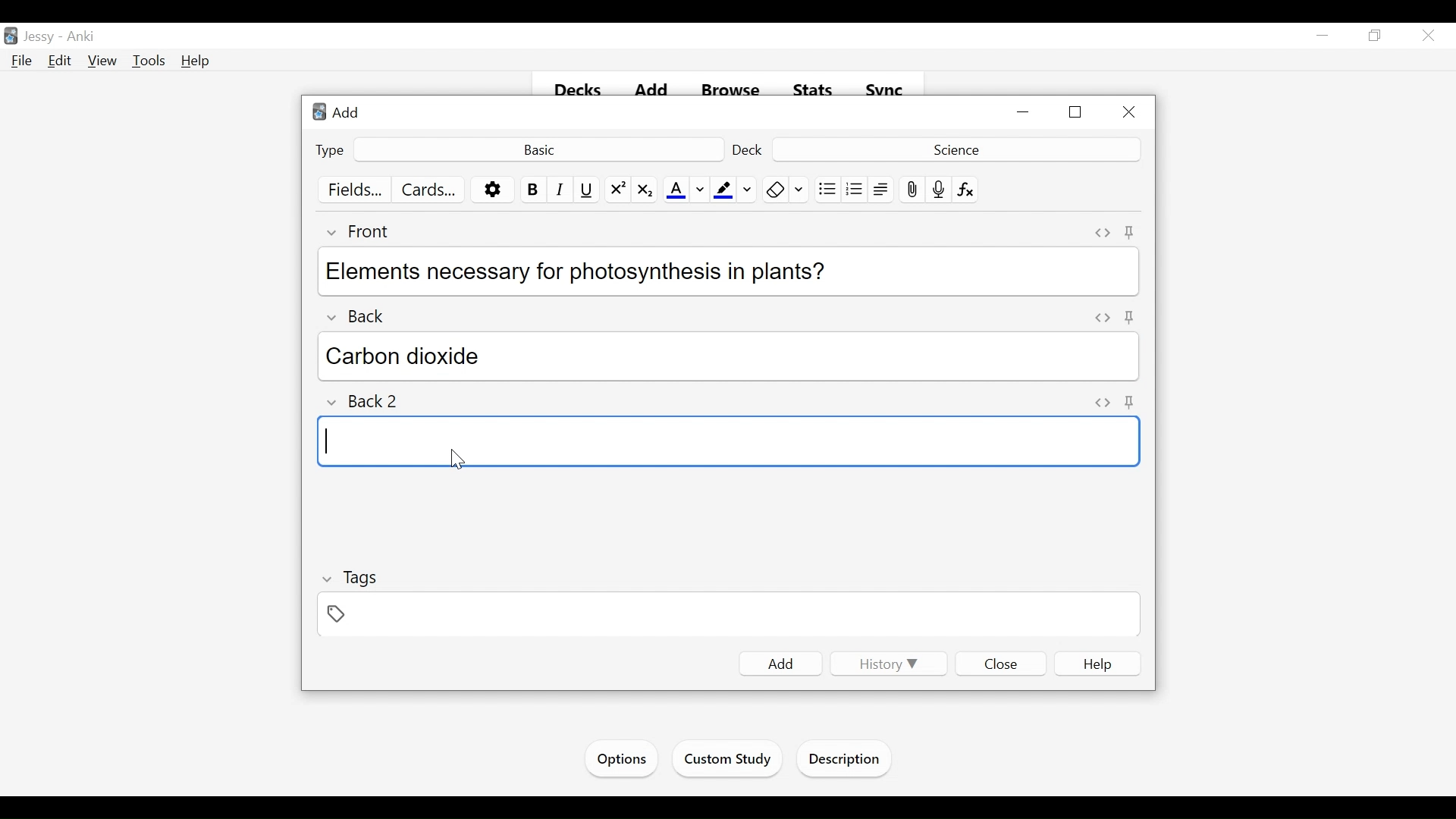 The image size is (1456, 819). I want to click on Help, so click(1098, 664).